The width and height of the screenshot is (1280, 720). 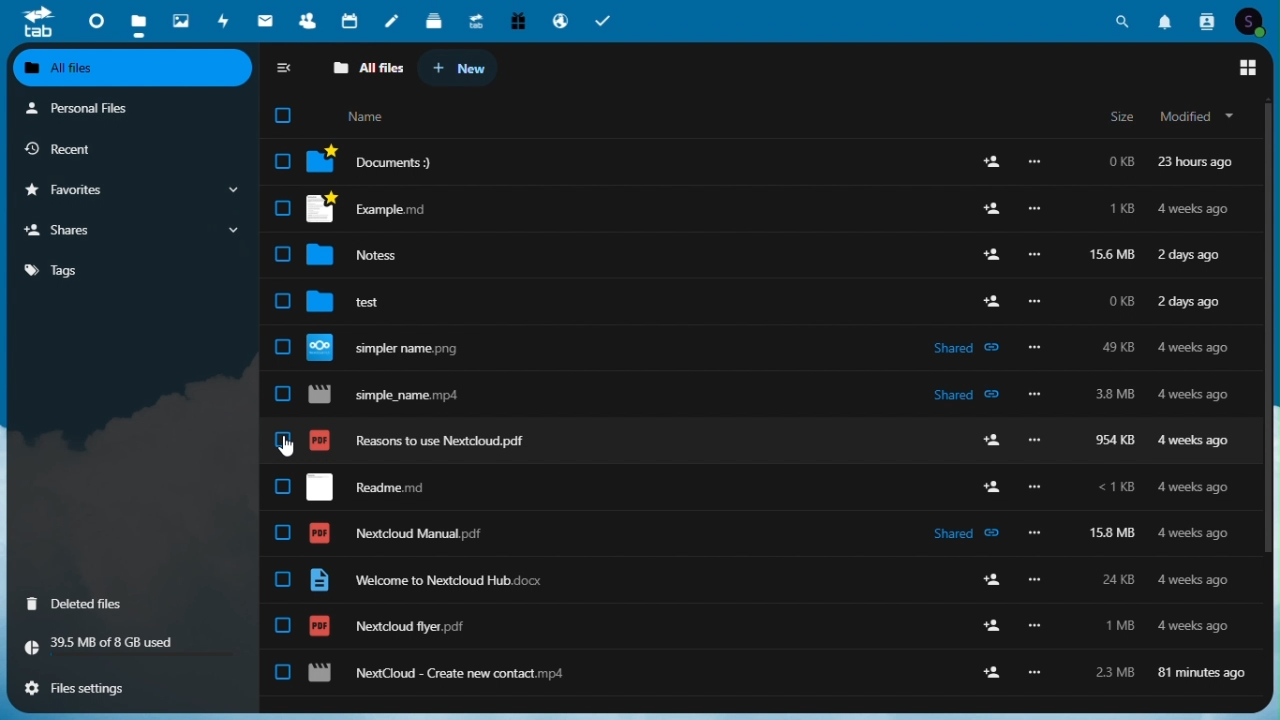 What do you see at coordinates (306, 21) in the screenshot?
I see `Contacts` at bounding box center [306, 21].